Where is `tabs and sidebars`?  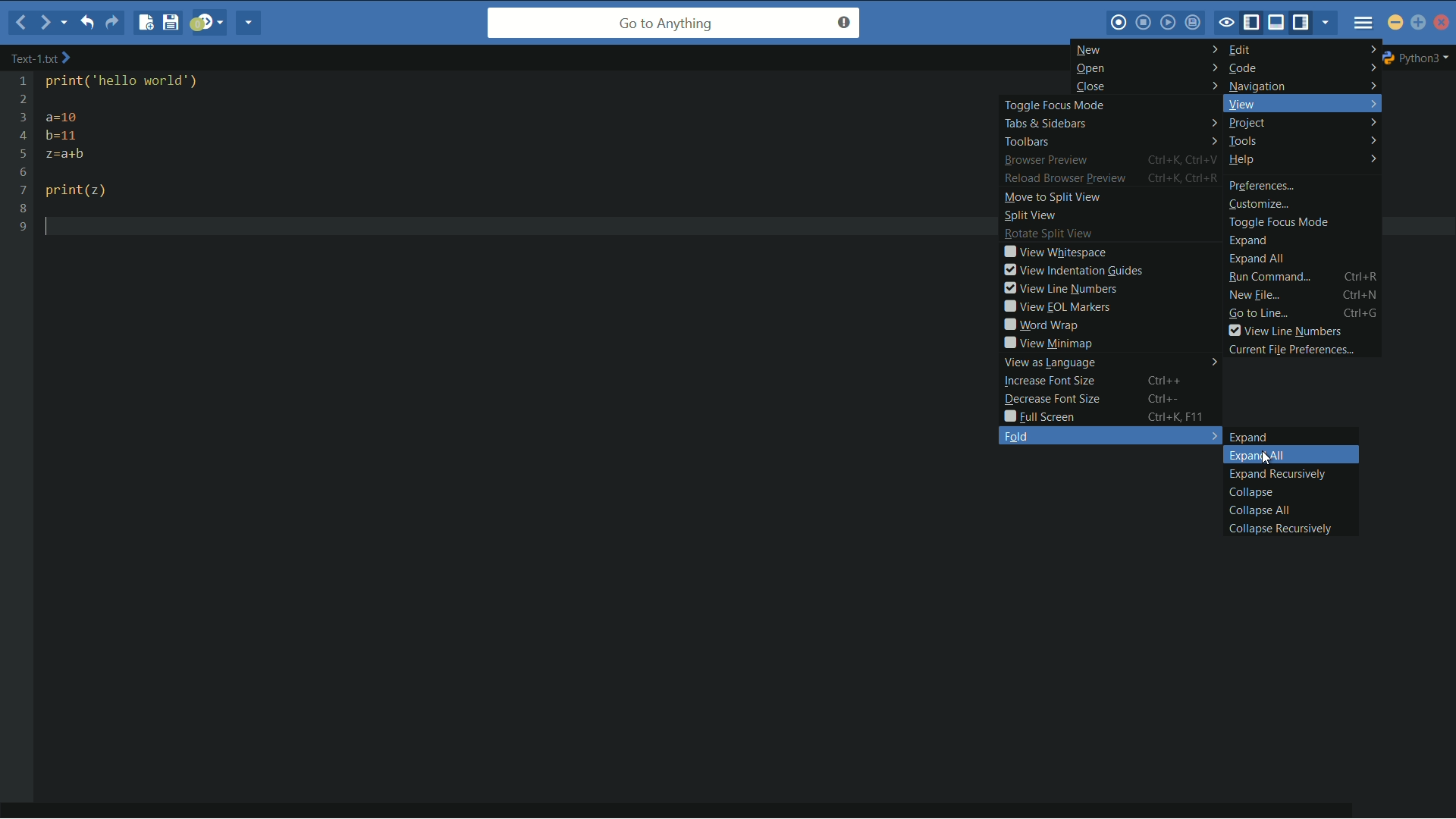 tabs and sidebars is located at coordinates (1112, 124).